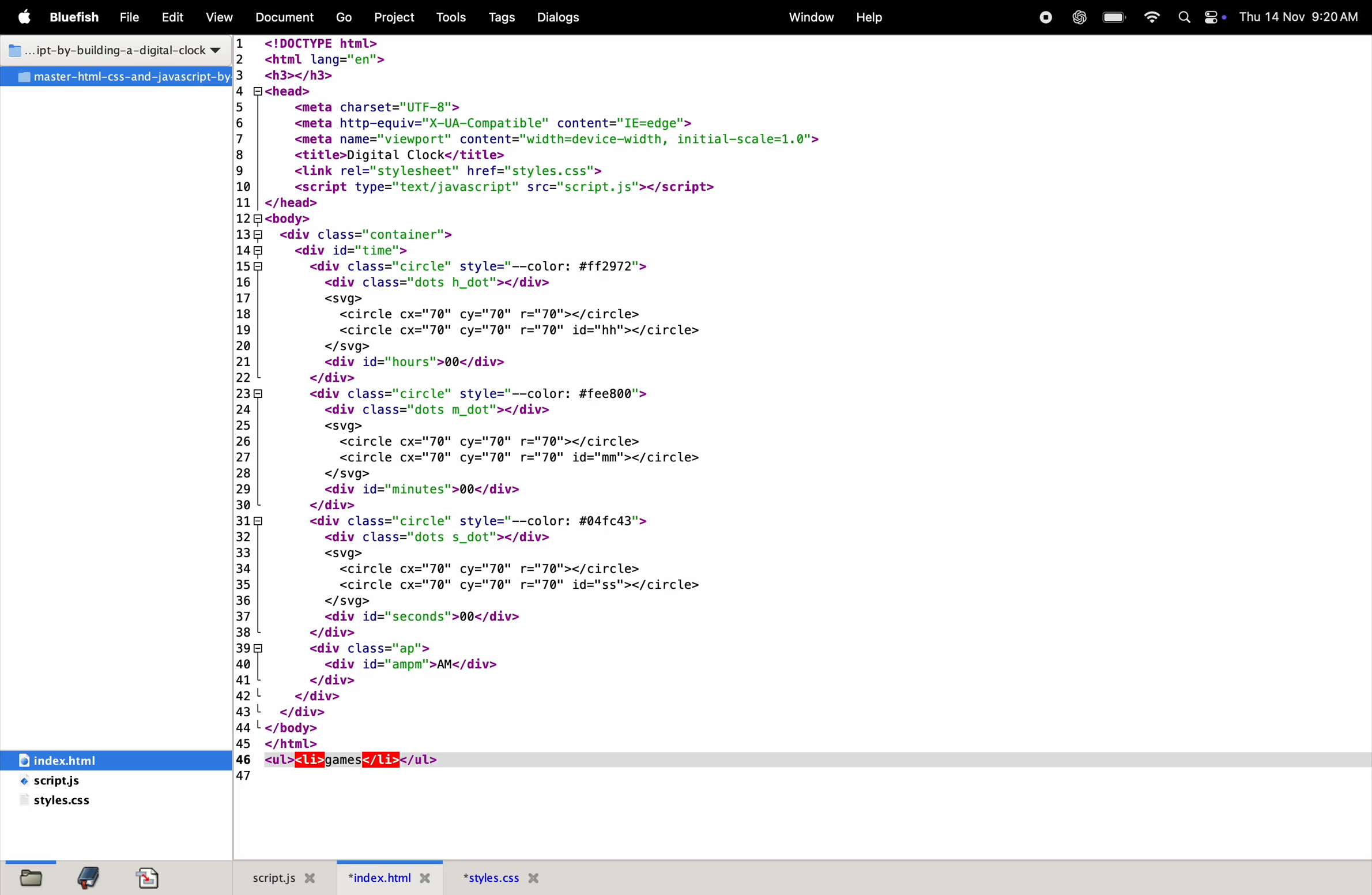 The height and width of the screenshot is (895, 1372). Describe the element at coordinates (399, 16) in the screenshot. I see `Projects` at that location.